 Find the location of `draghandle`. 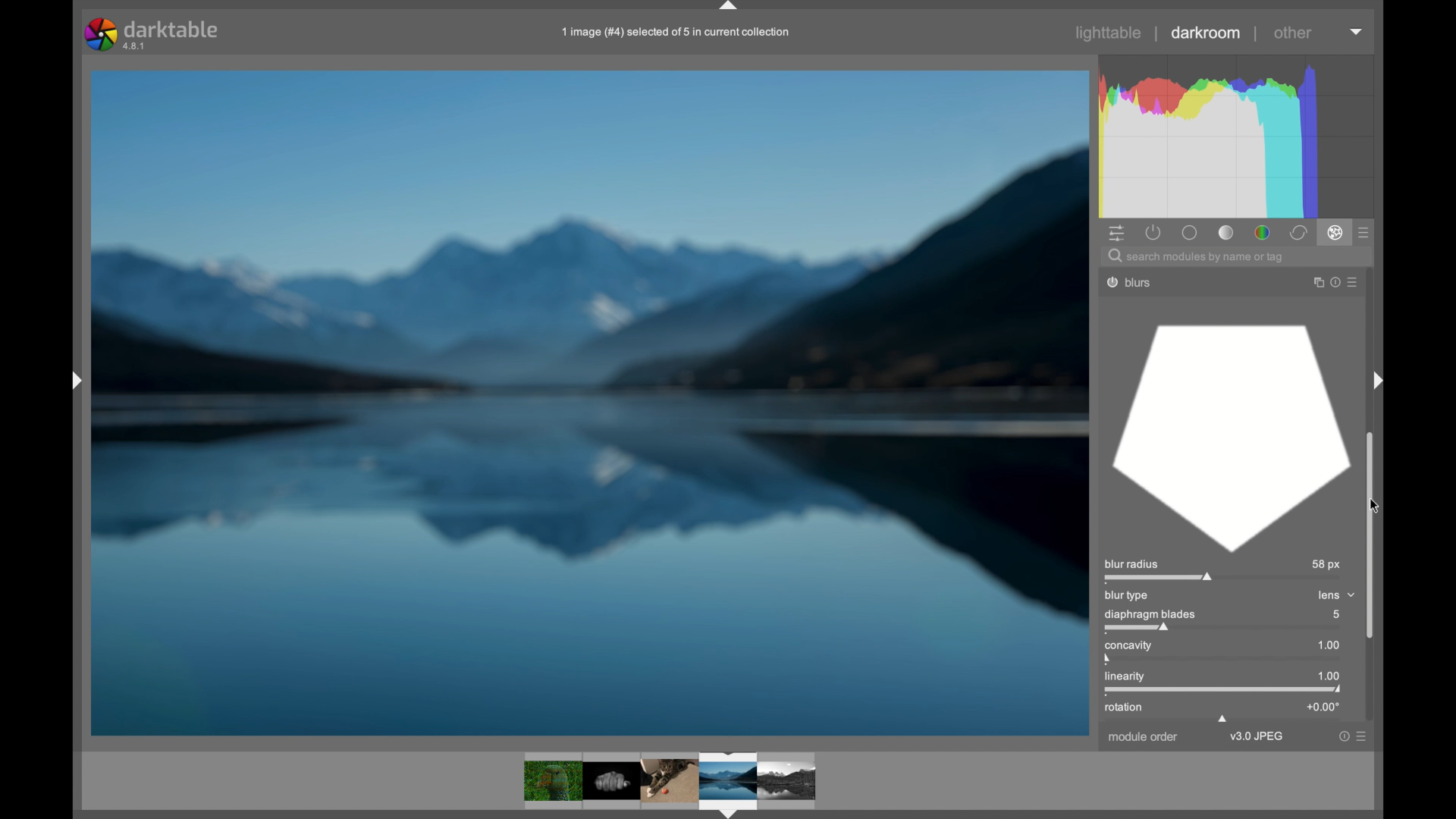

draghandle is located at coordinates (1223, 719).